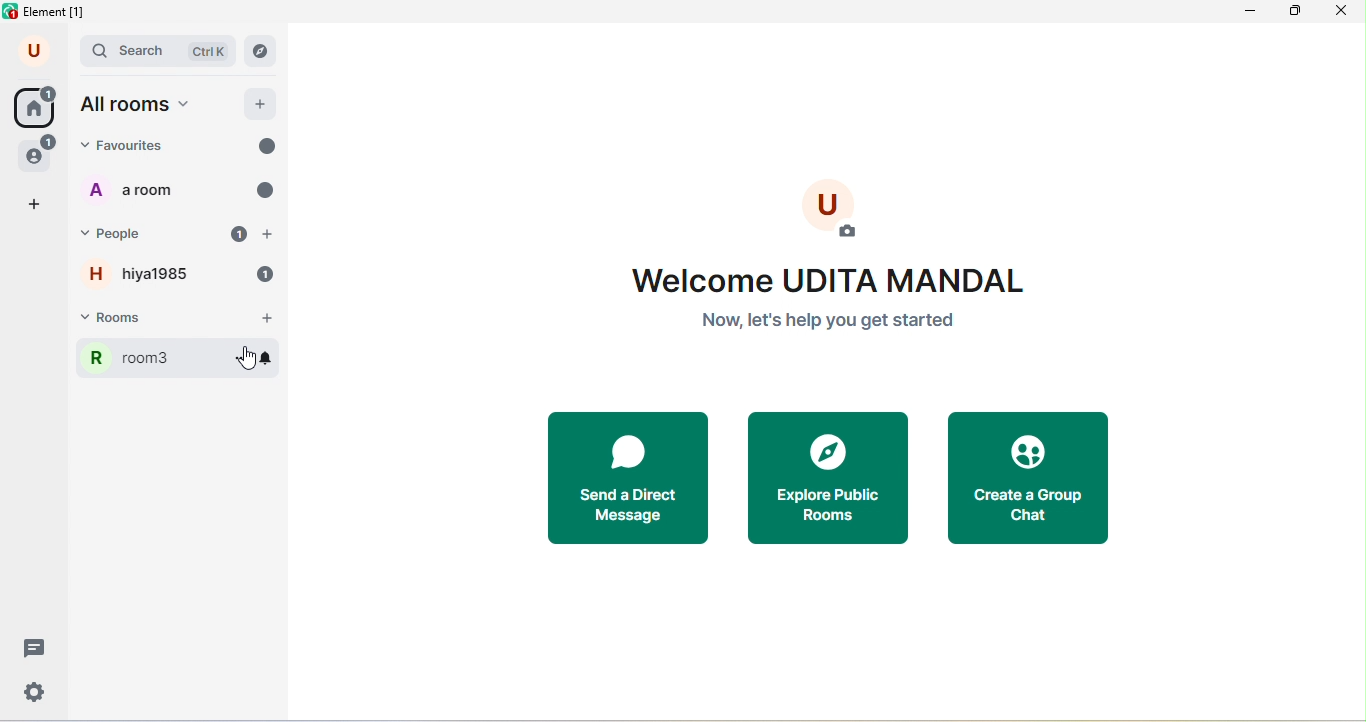 This screenshot has height=722, width=1366. Describe the element at coordinates (159, 52) in the screenshot. I see `search bar` at that location.